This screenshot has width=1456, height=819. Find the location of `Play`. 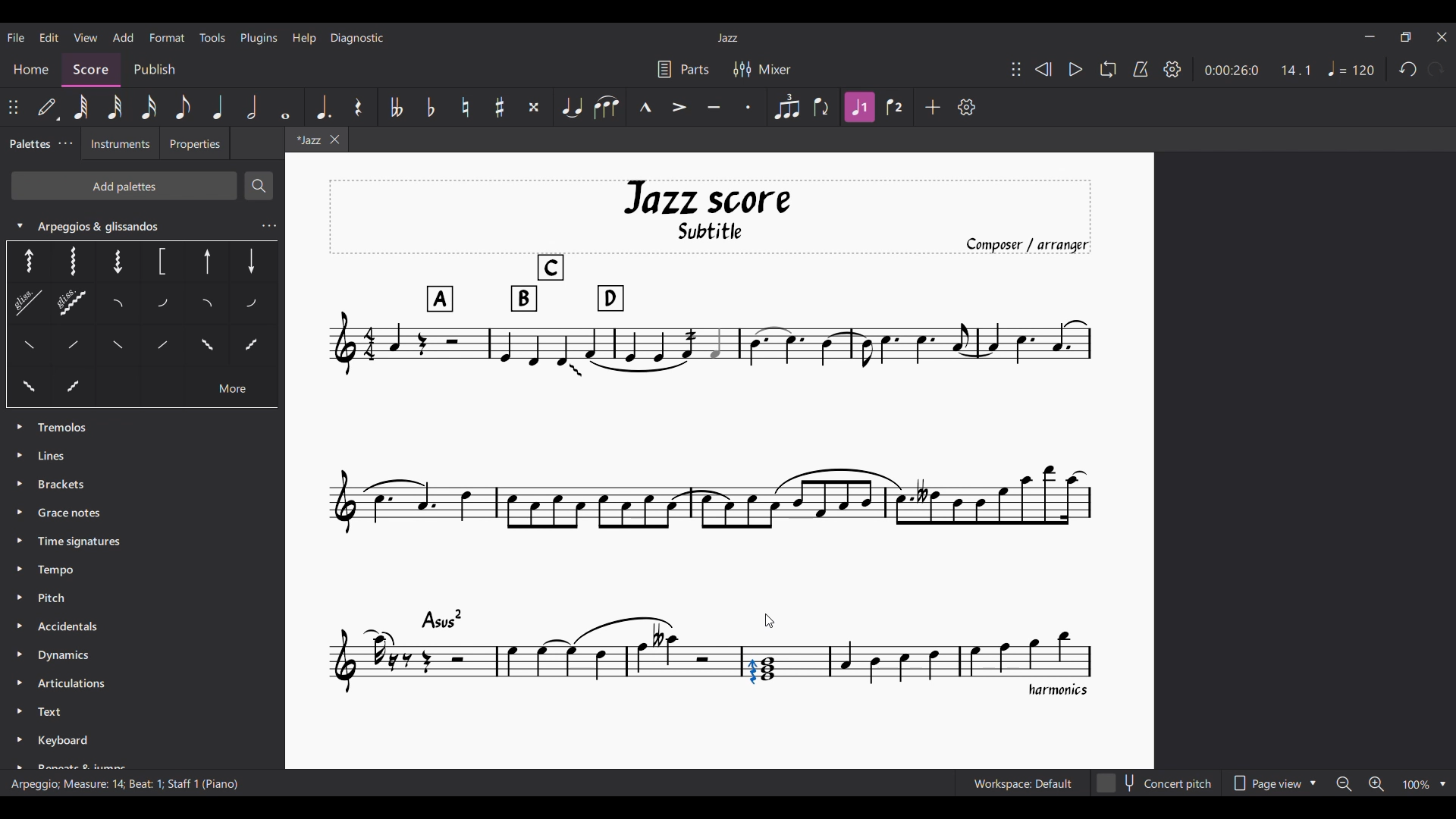

Play is located at coordinates (1076, 69).